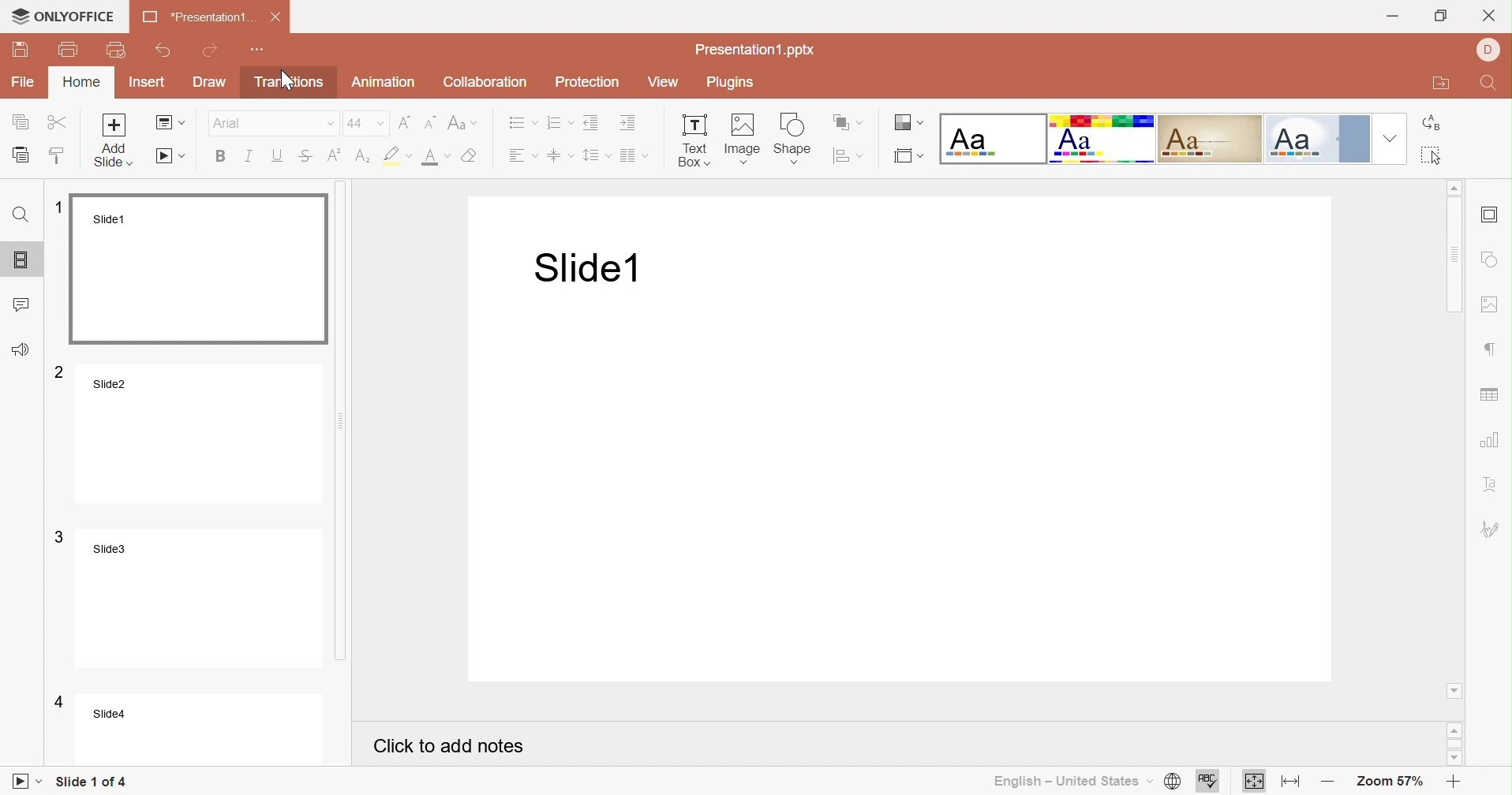 The image size is (1512, 795). I want to click on User, so click(1491, 48).